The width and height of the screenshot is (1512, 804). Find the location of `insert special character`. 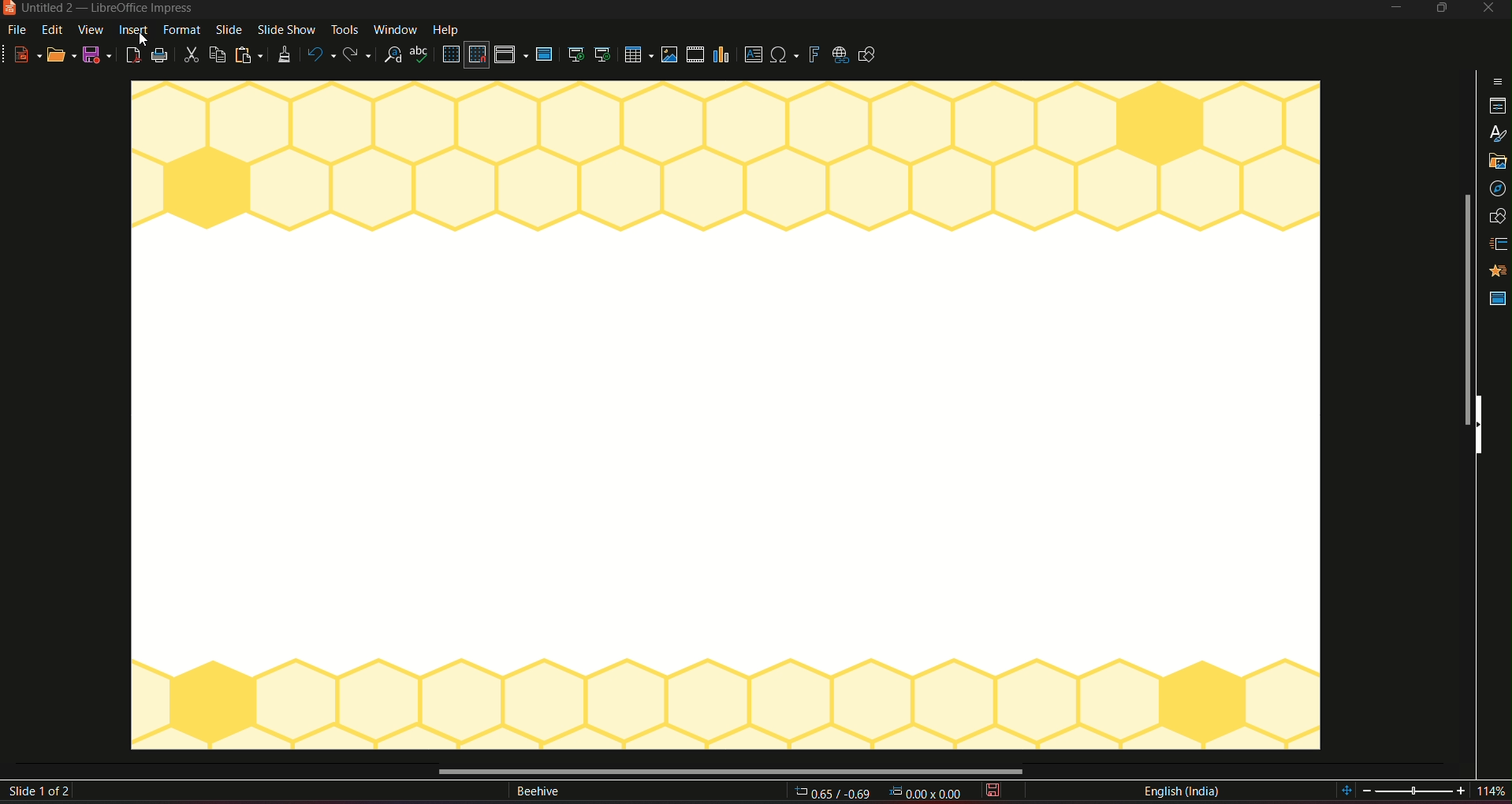

insert special character is located at coordinates (784, 53).